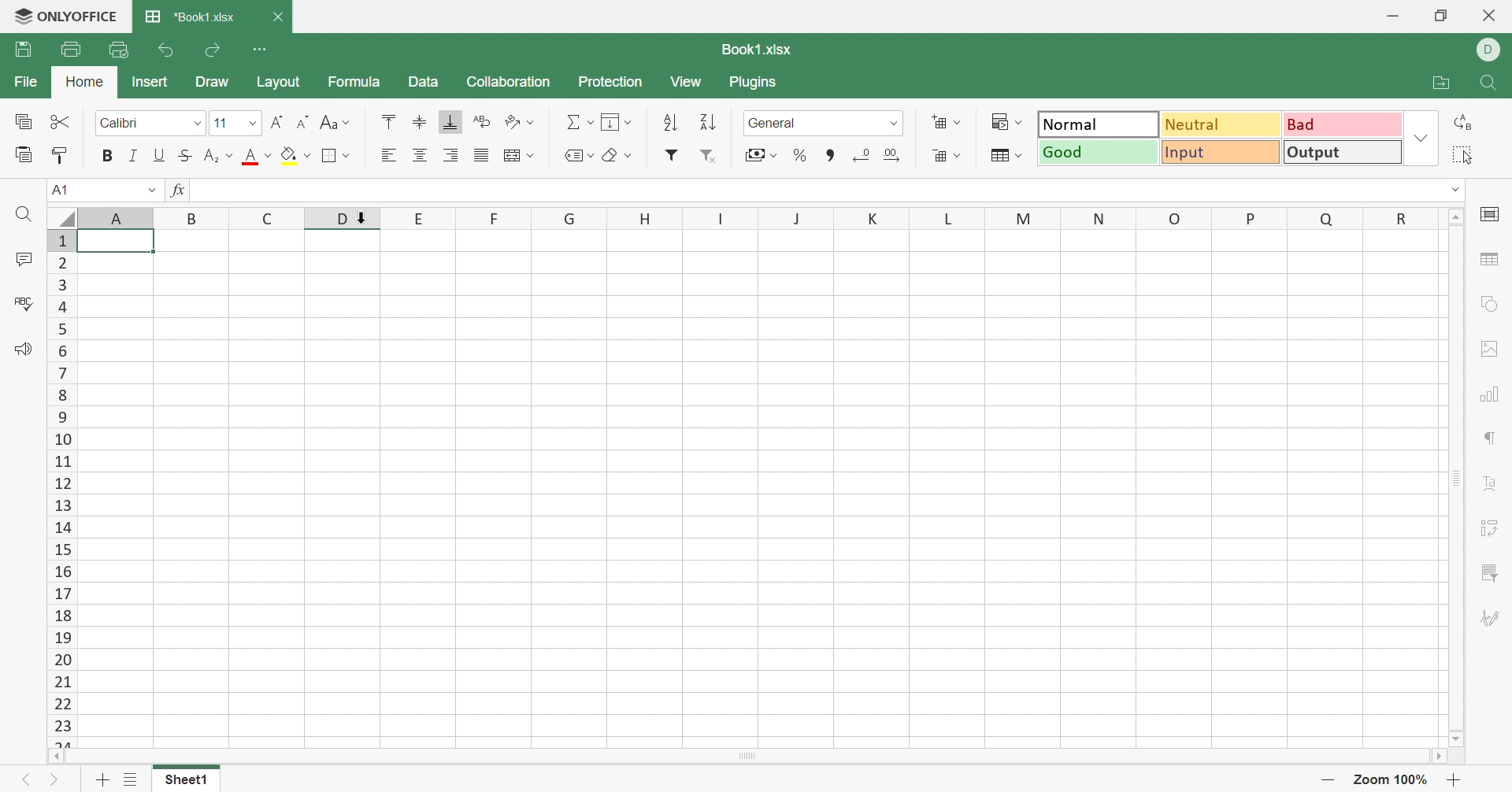 The width and height of the screenshot is (1512, 792). What do you see at coordinates (132, 779) in the screenshot?
I see `List of sheets` at bounding box center [132, 779].